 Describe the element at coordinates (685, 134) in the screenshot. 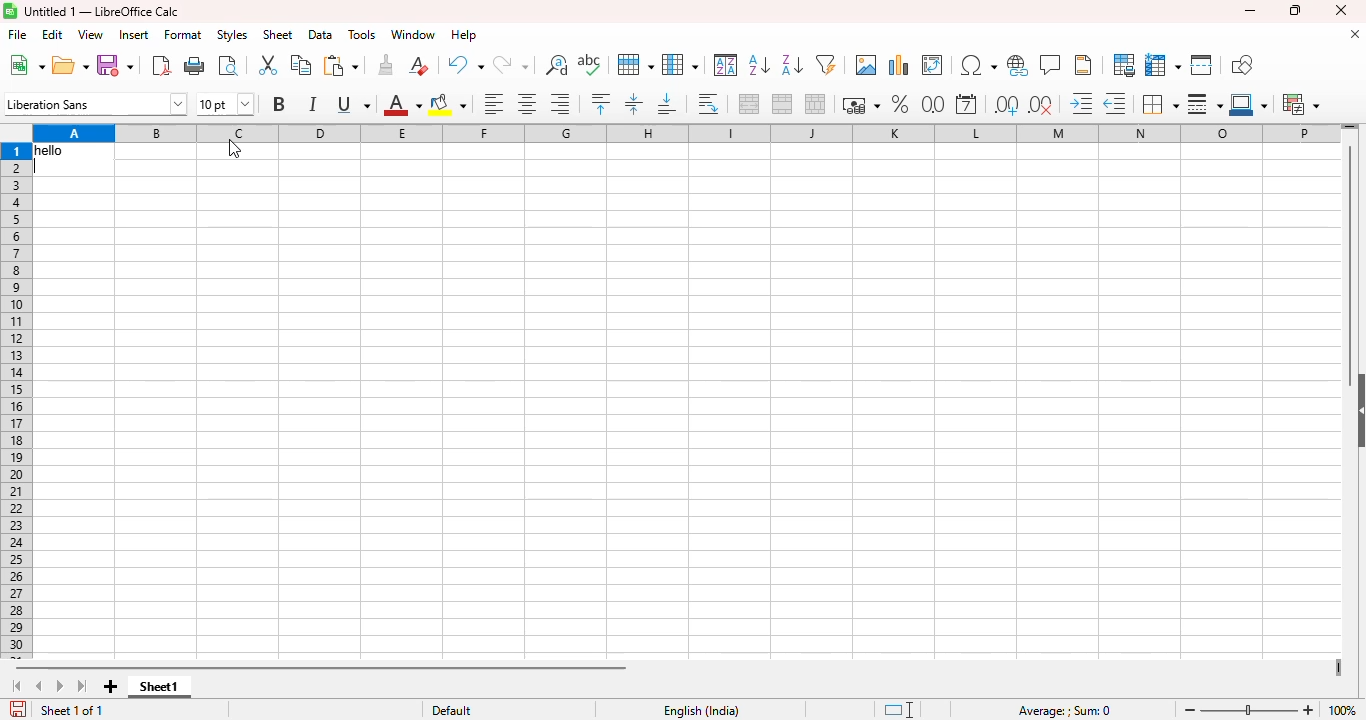

I see `columns` at that location.